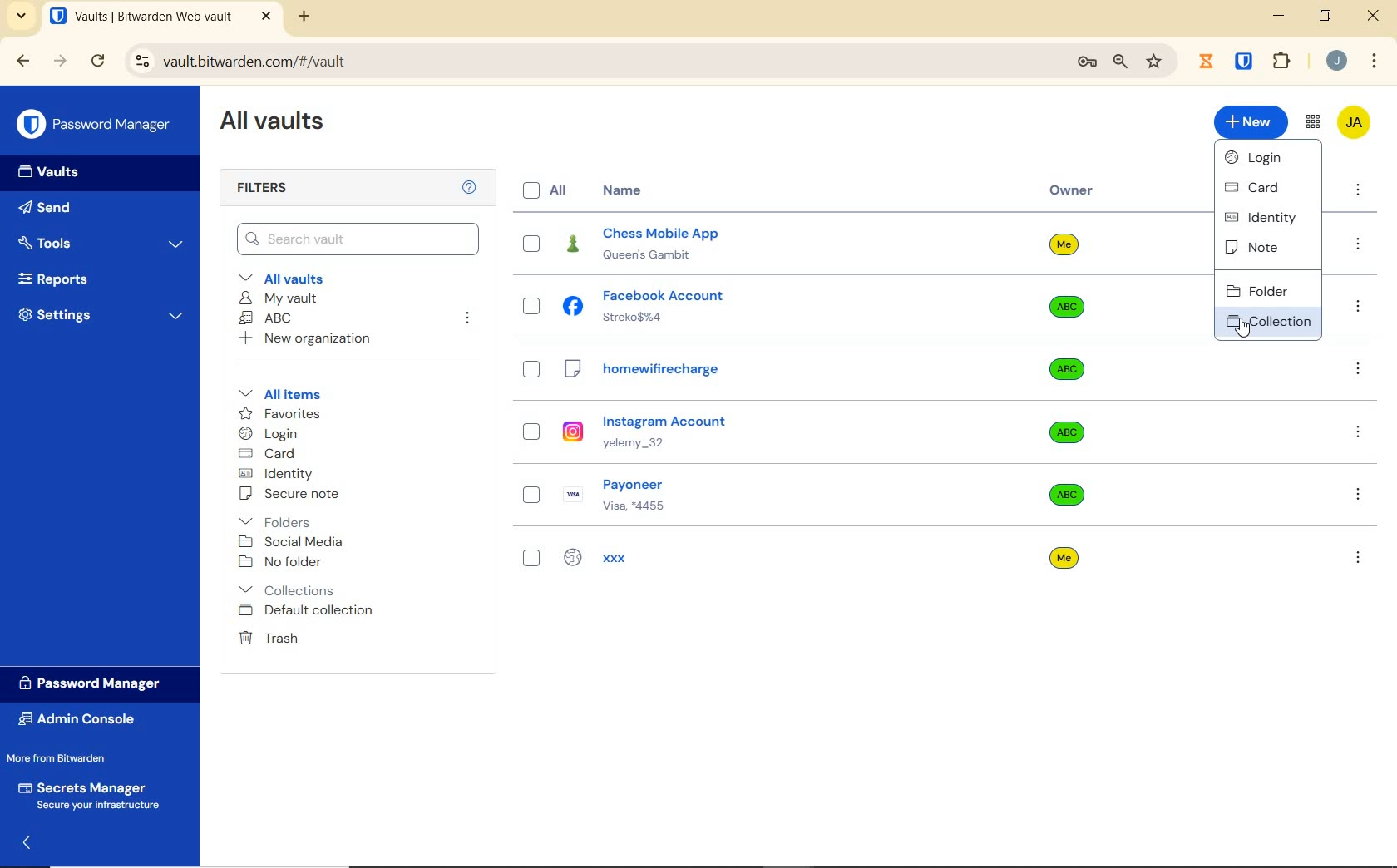  Describe the element at coordinates (1360, 308) in the screenshot. I see `more options` at that location.